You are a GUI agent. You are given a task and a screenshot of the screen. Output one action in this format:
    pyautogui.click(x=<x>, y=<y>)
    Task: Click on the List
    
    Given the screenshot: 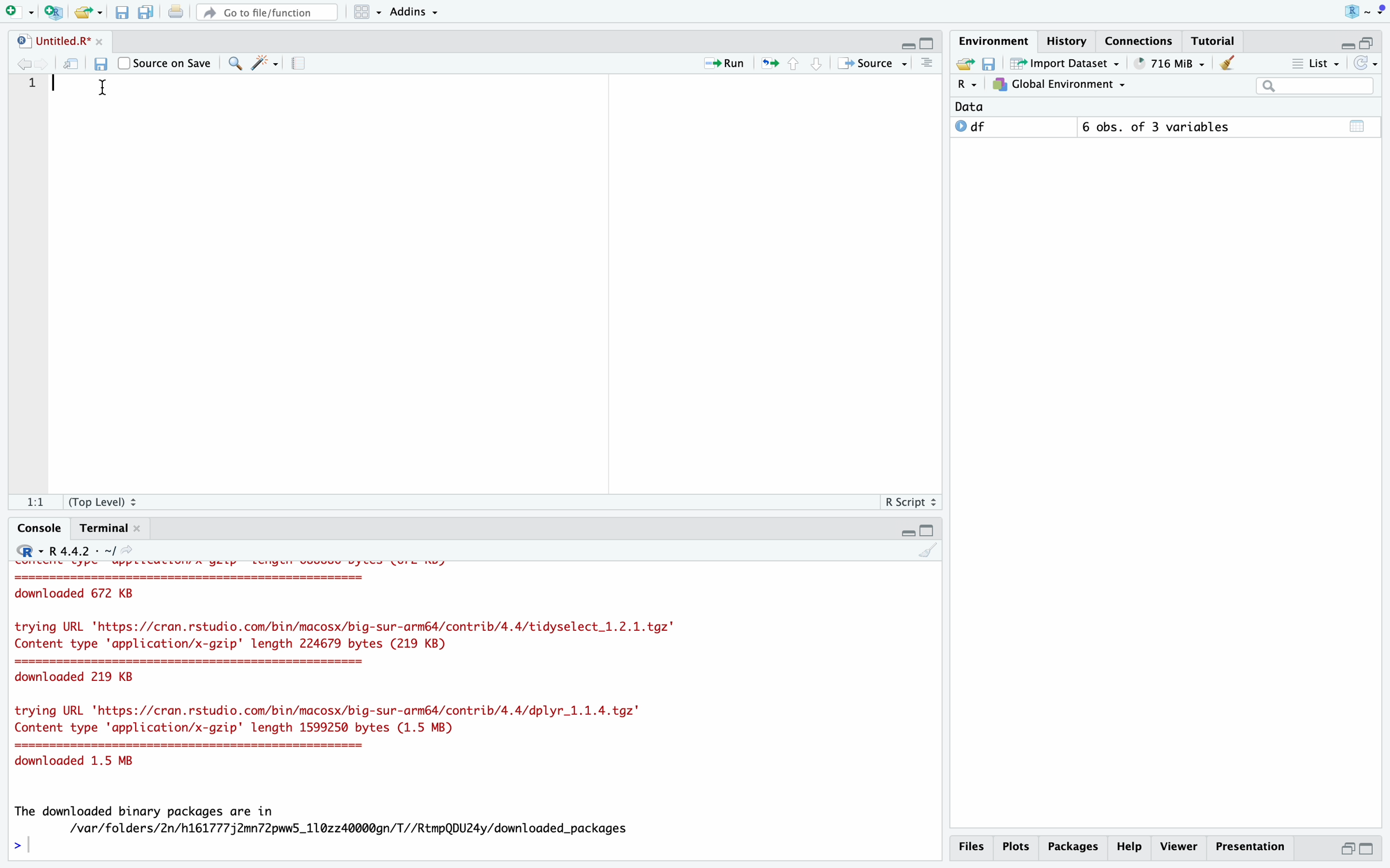 What is the action you would take?
    pyautogui.click(x=1315, y=63)
    